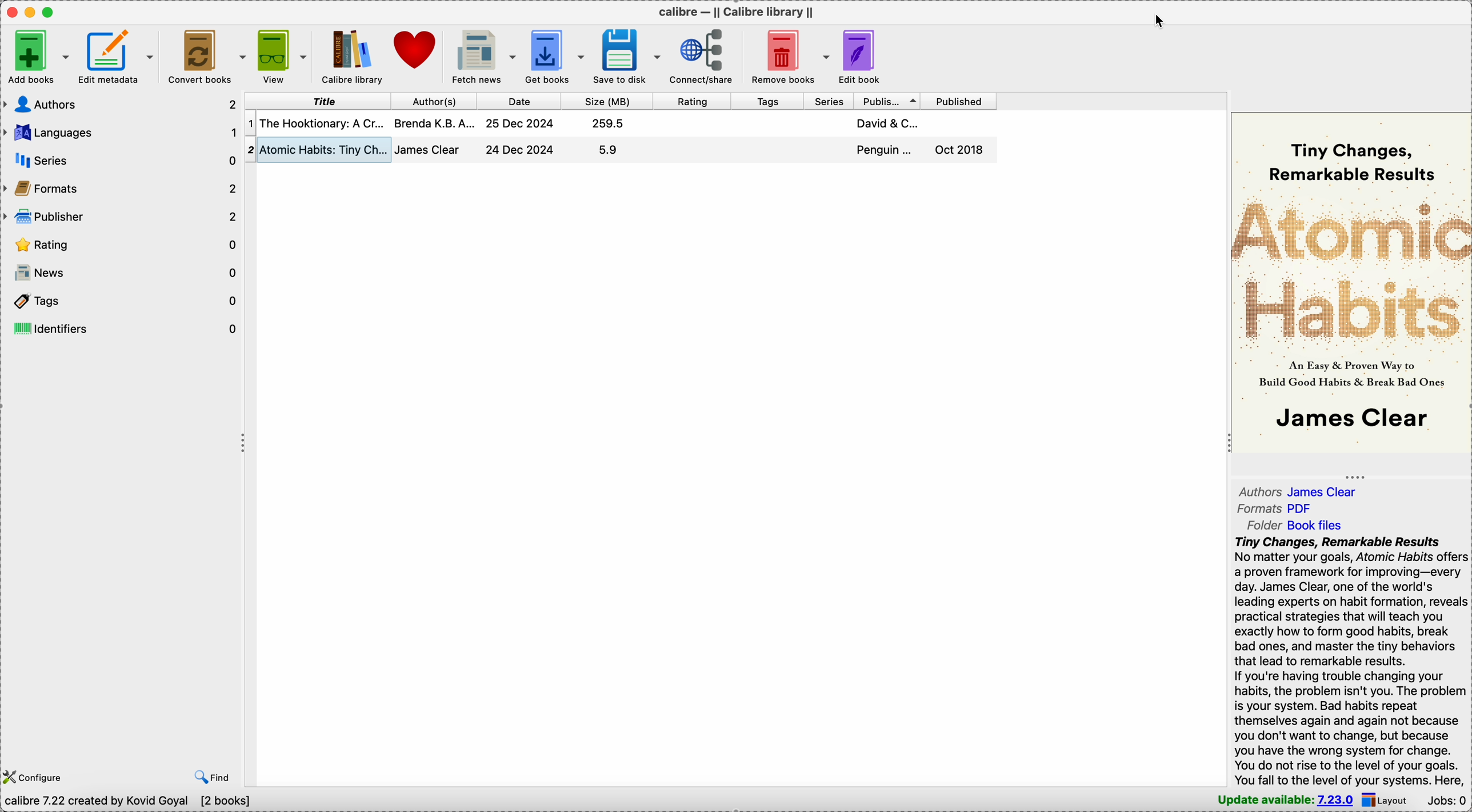  What do you see at coordinates (436, 101) in the screenshot?
I see `author(s)` at bounding box center [436, 101].